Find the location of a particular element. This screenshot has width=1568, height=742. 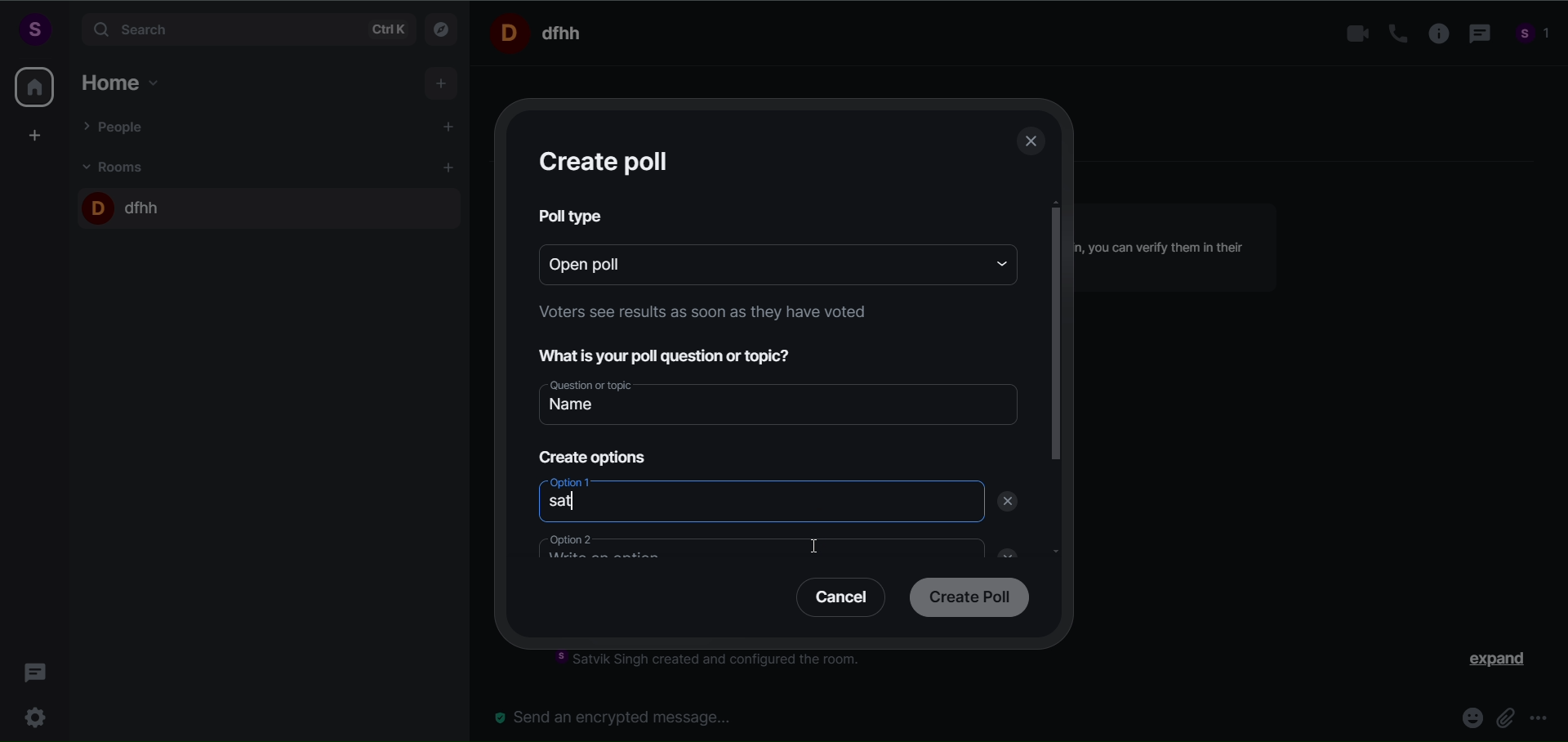

home is located at coordinates (34, 87).